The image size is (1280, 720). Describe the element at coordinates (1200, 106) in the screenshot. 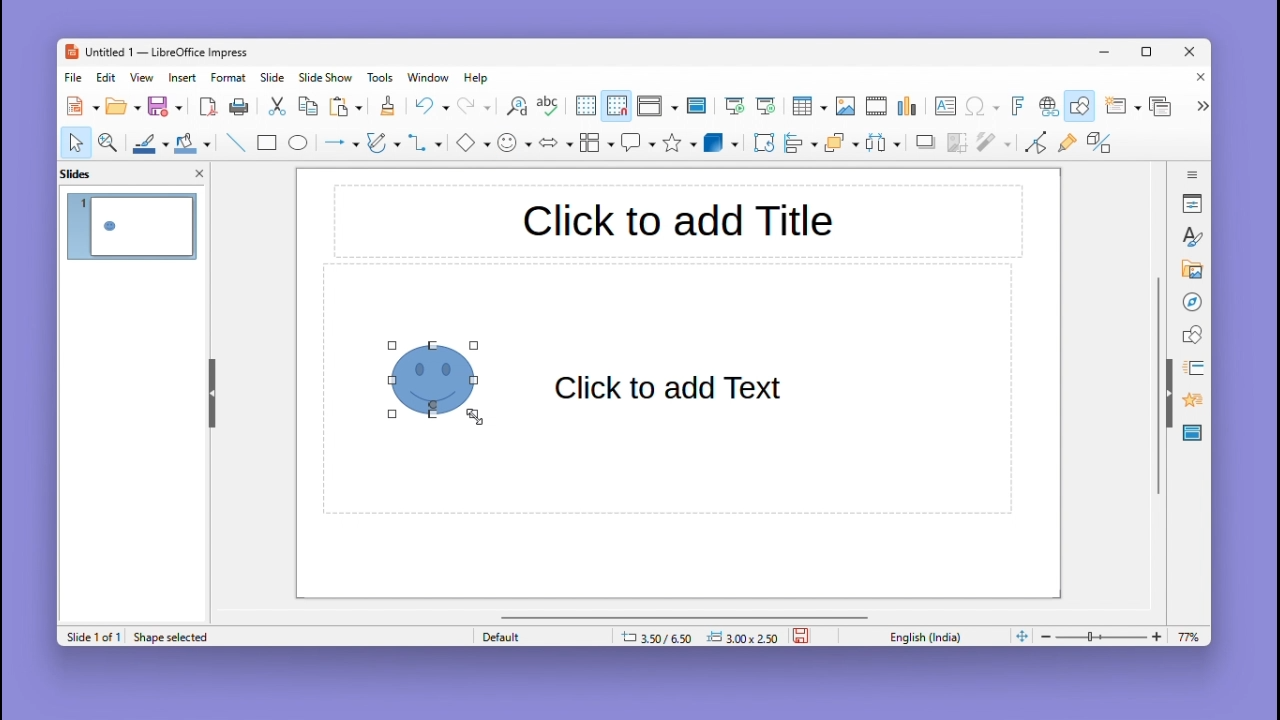

I see `expand` at that location.